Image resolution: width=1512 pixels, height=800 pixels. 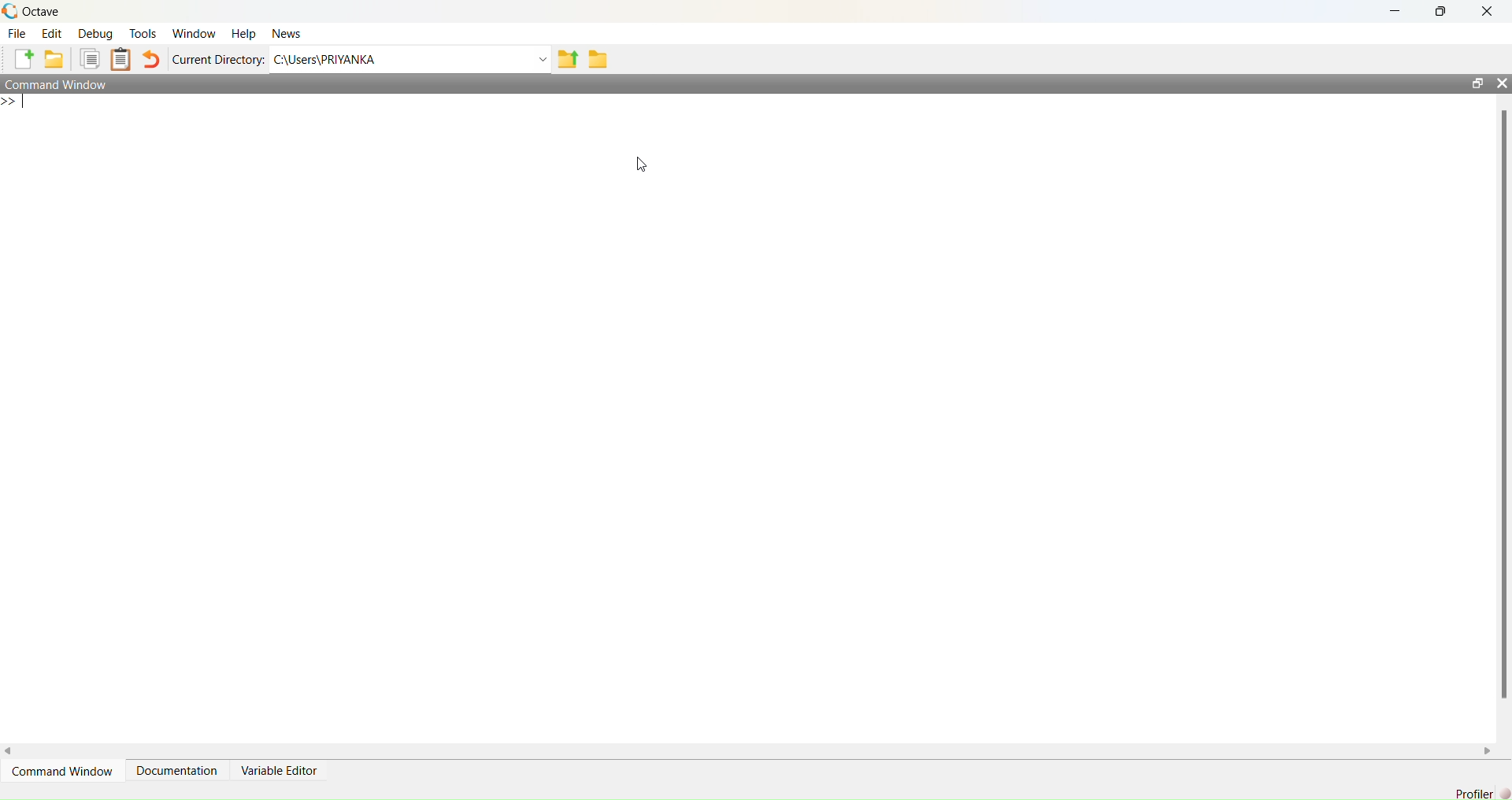 I want to click on share folder, so click(x=569, y=58).